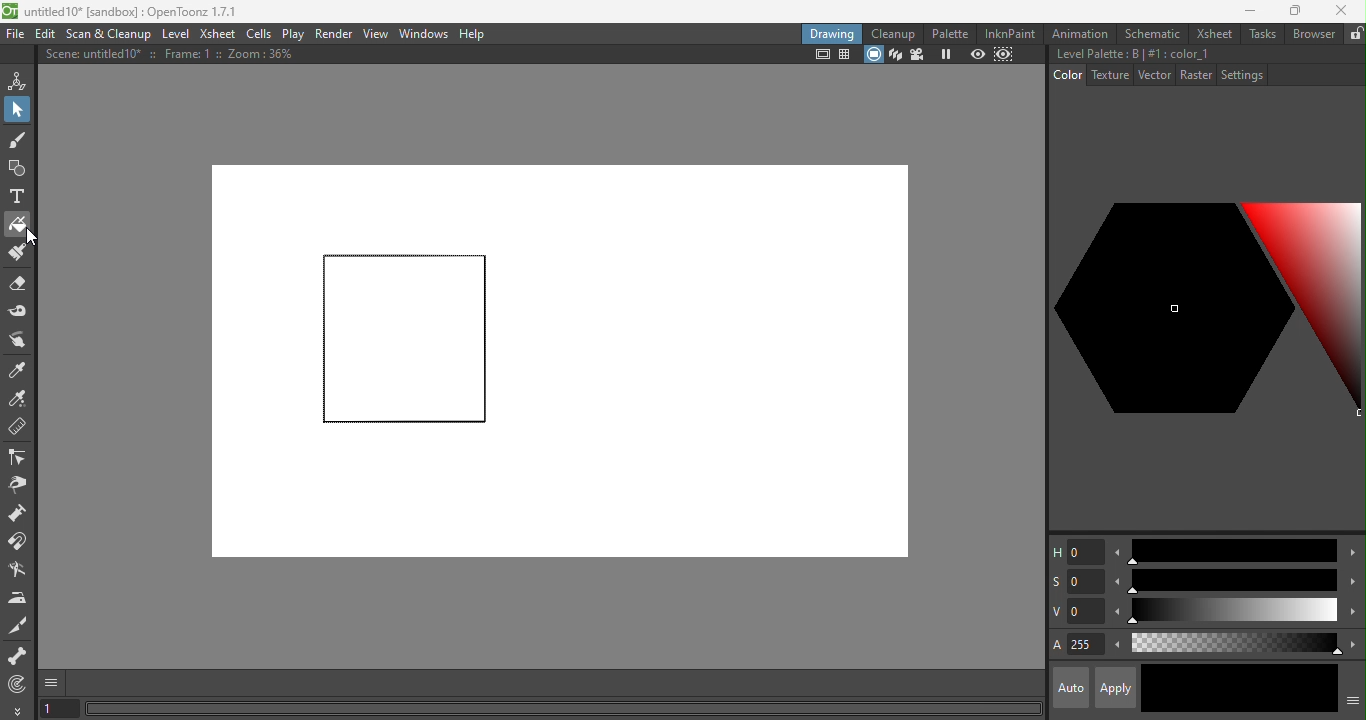 This screenshot has height=720, width=1366. Describe the element at coordinates (375, 34) in the screenshot. I see `View` at that location.